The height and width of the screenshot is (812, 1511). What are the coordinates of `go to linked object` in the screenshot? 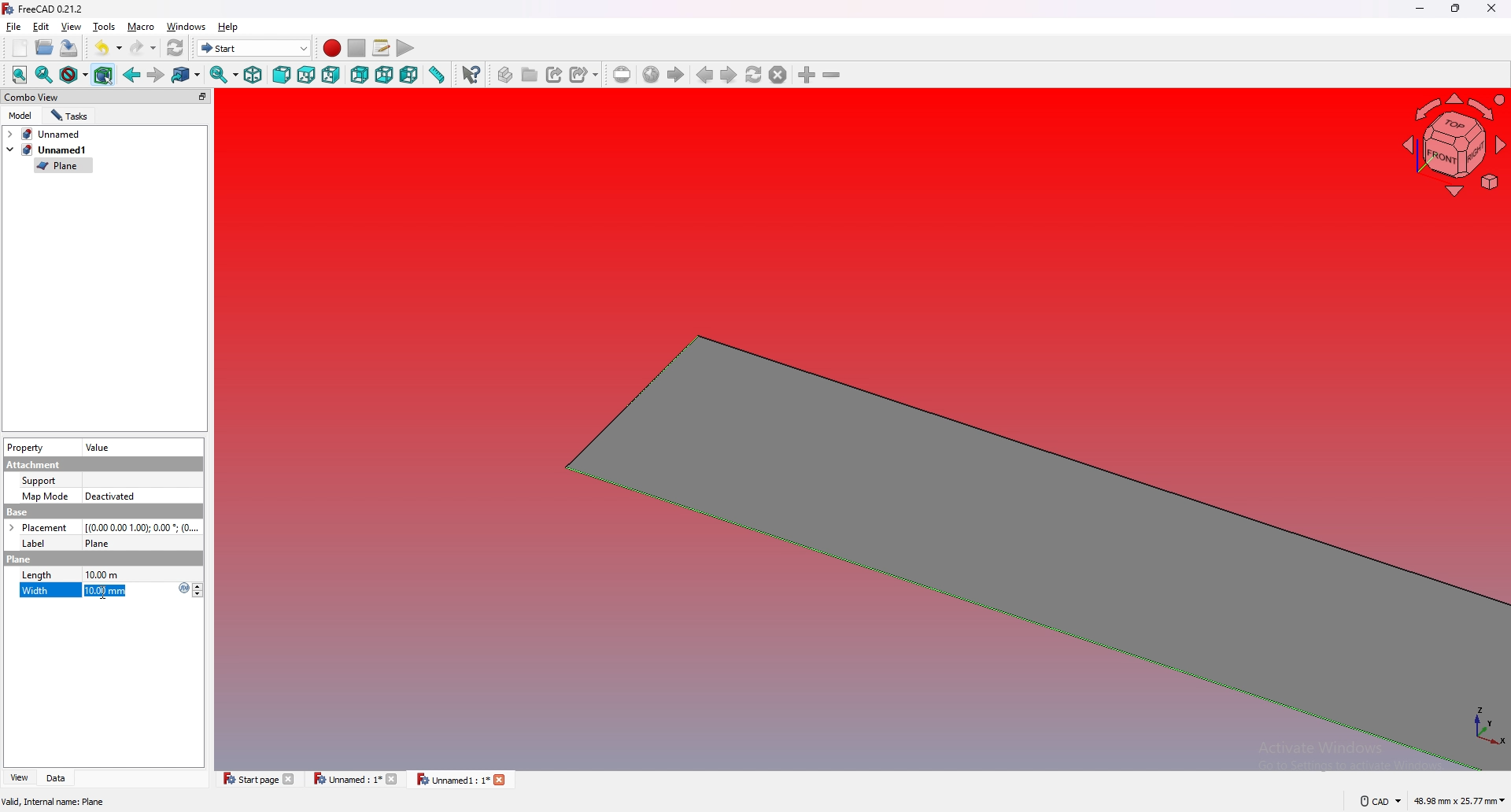 It's located at (187, 76).